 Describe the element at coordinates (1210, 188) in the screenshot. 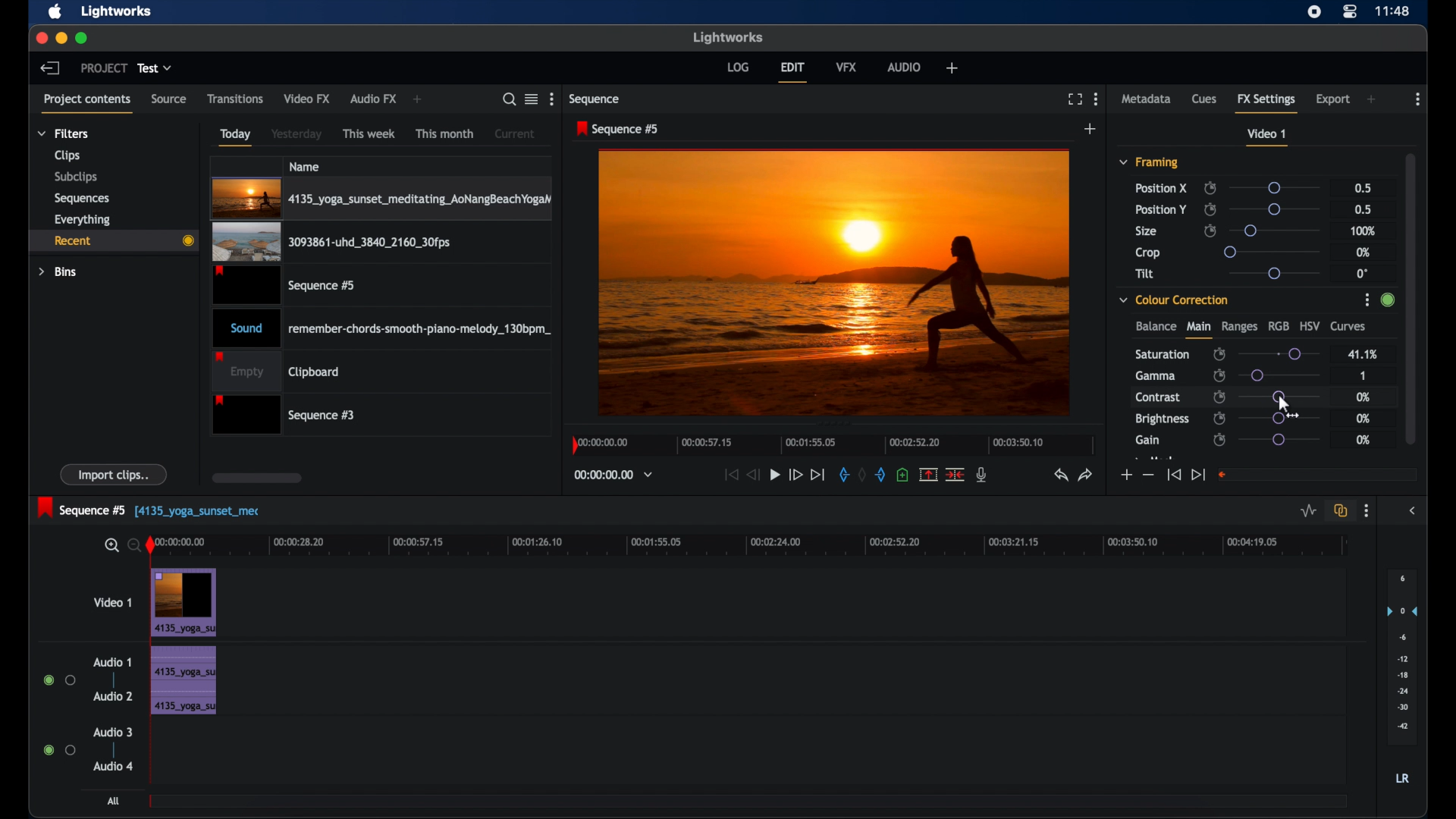

I see `enable/disable keyframes` at that location.